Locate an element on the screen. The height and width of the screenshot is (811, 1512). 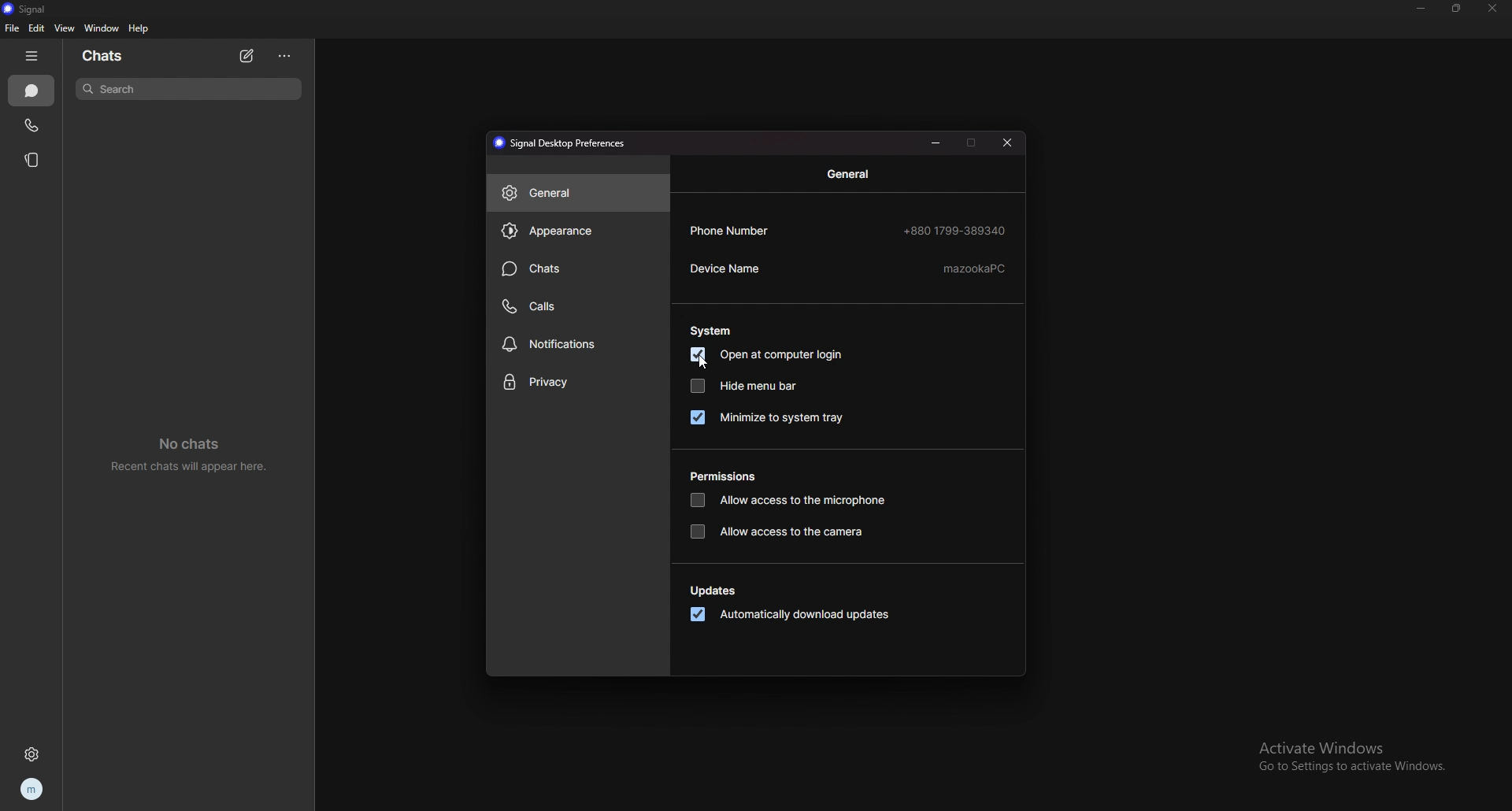
resize is located at coordinates (1457, 8).